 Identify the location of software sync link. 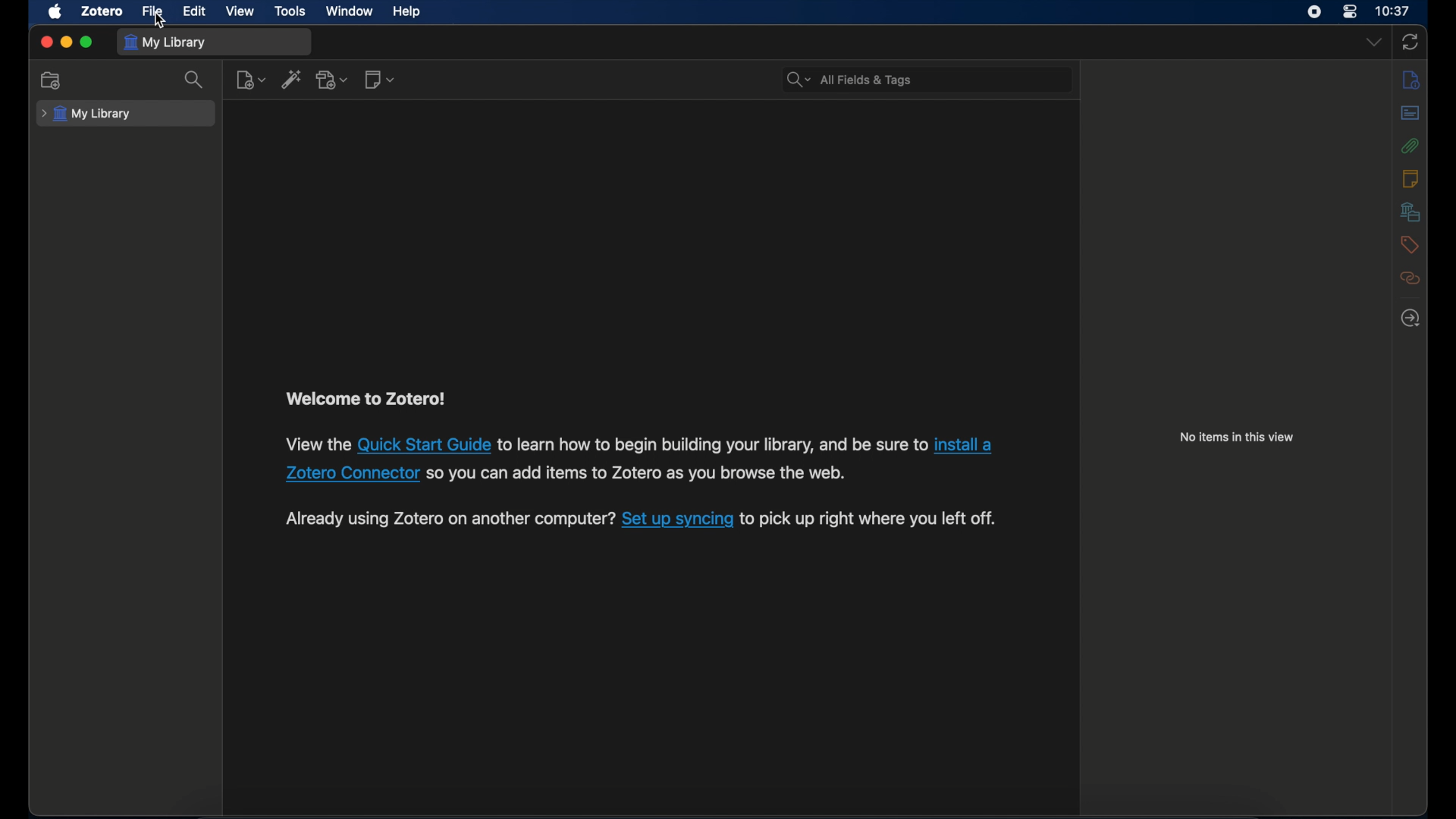
(676, 519).